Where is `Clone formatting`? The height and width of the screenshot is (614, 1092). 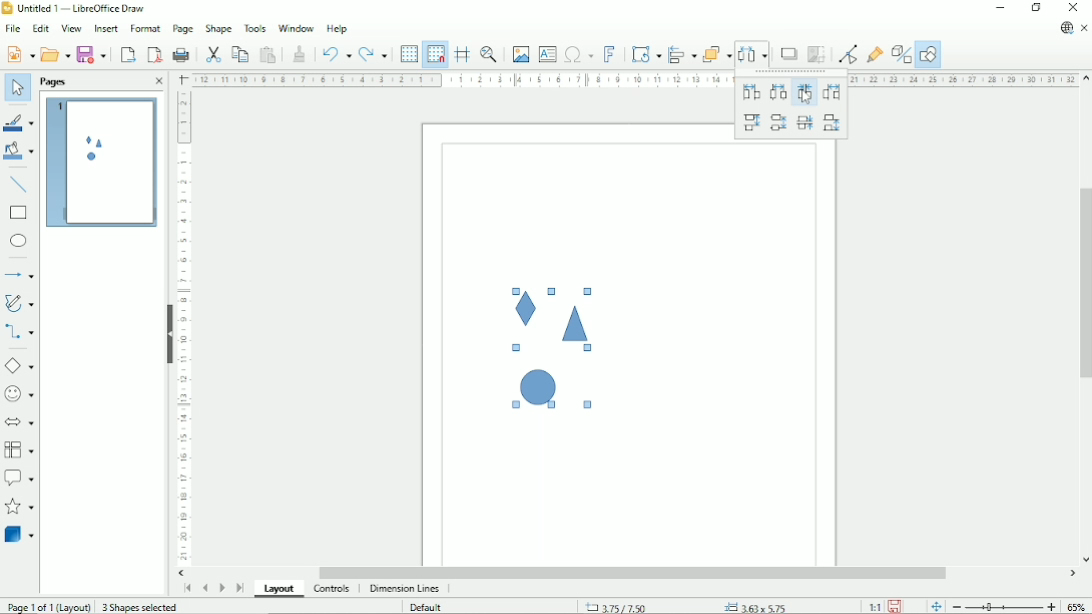
Clone formatting is located at coordinates (300, 53).